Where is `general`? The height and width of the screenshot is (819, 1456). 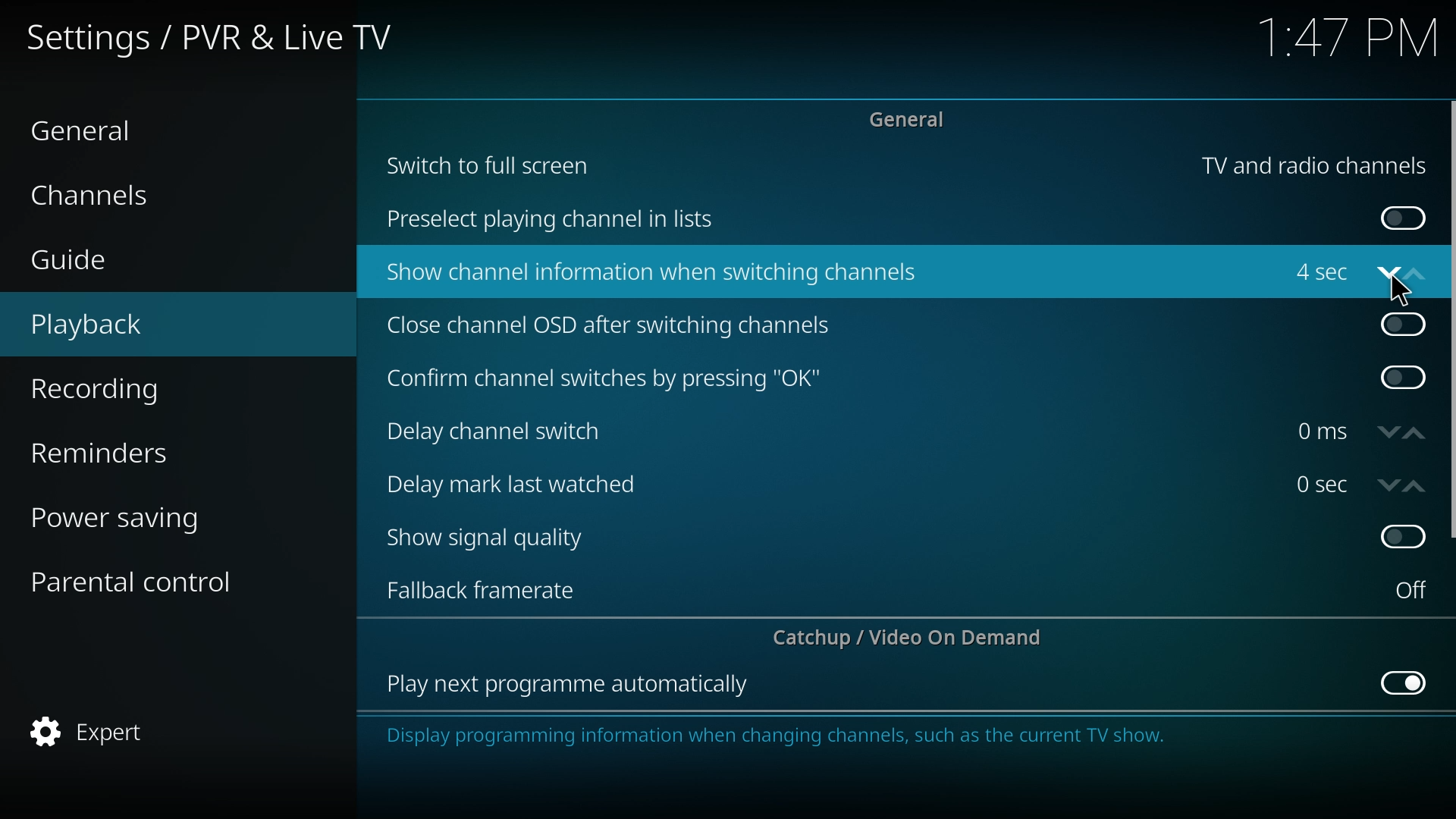 general is located at coordinates (913, 118).